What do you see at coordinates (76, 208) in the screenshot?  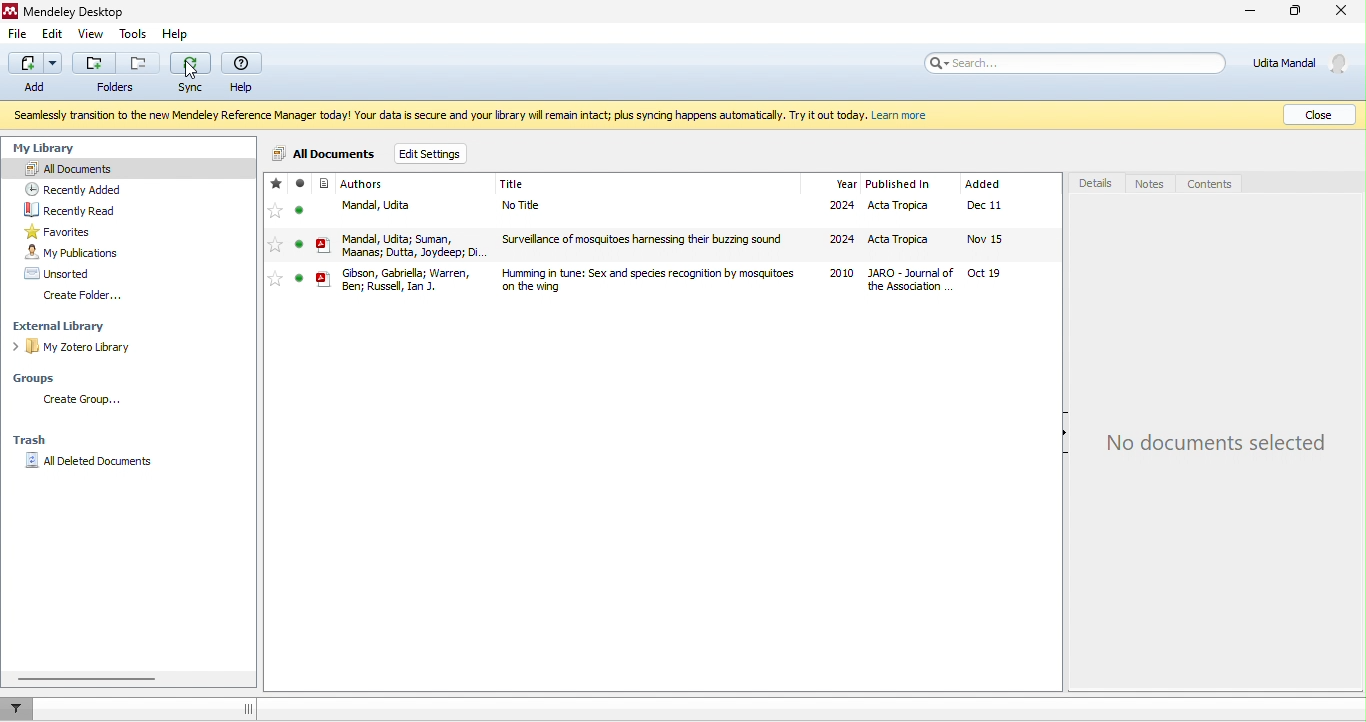 I see `recently read` at bounding box center [76, 208].